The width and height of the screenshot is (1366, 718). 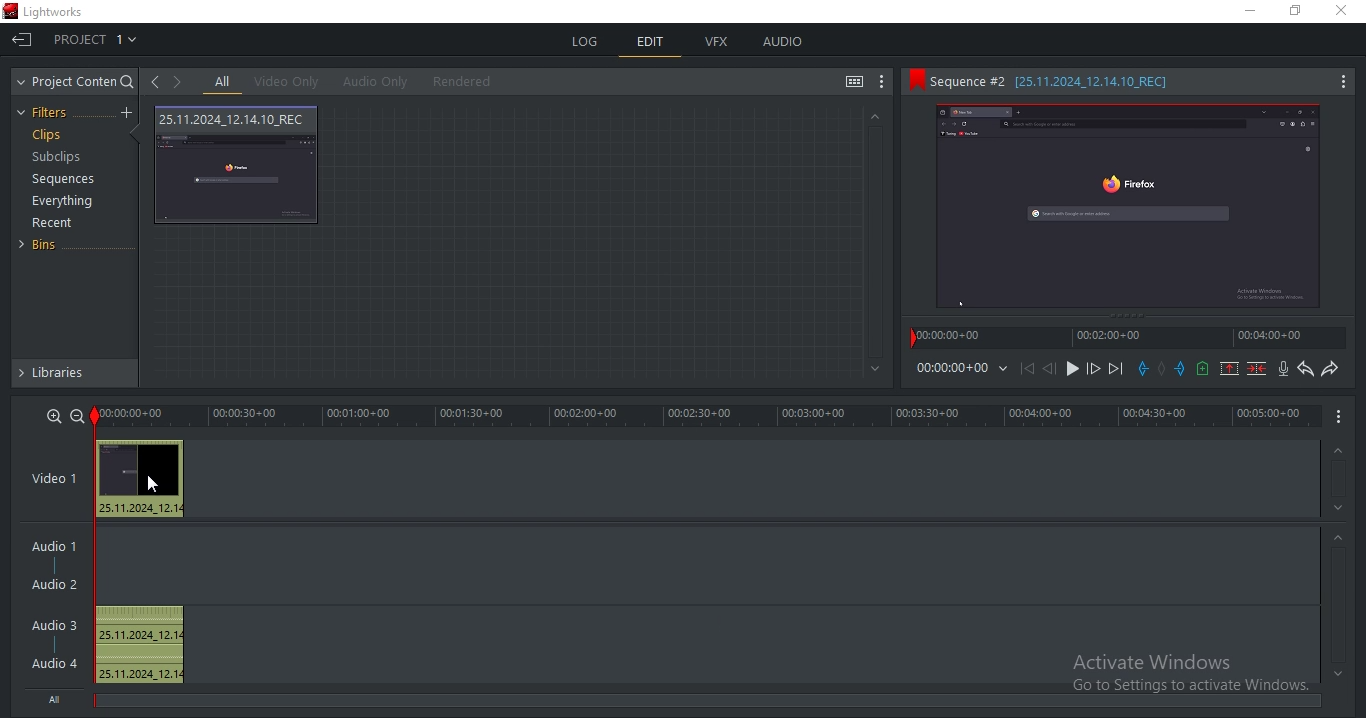 What do you see at coordinates (155, 82) in the screenshot?
I see `open previous clip` at bounding box center [155, 82].